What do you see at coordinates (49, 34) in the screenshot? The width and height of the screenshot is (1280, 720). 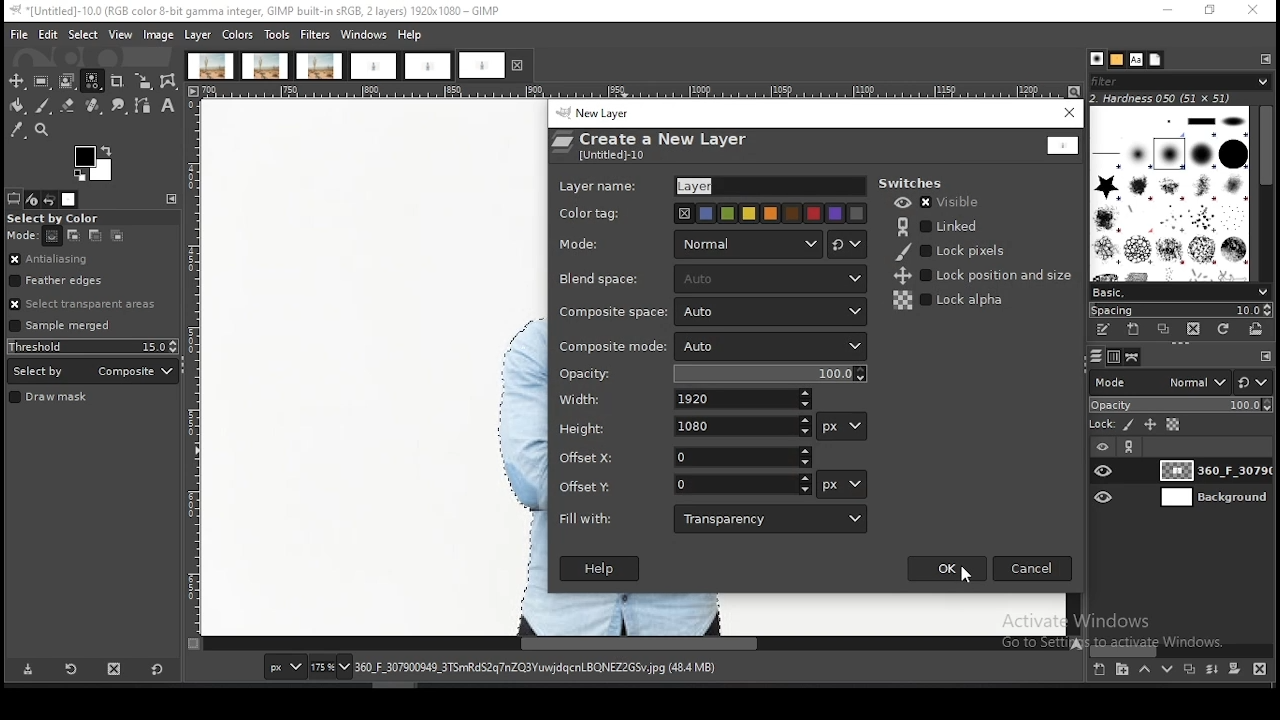 I see `edit` at bounding box center [49, 34].